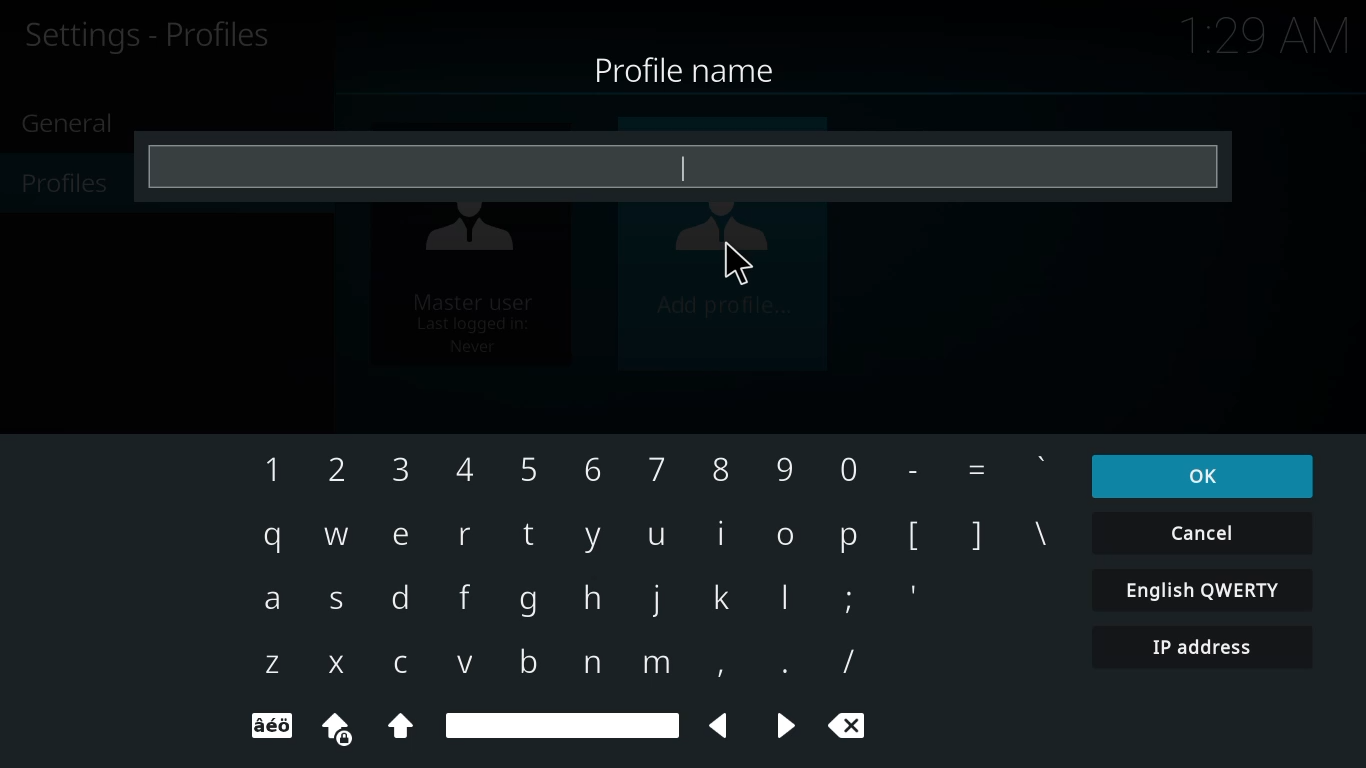  I want to click on ', so click(1033, 465).